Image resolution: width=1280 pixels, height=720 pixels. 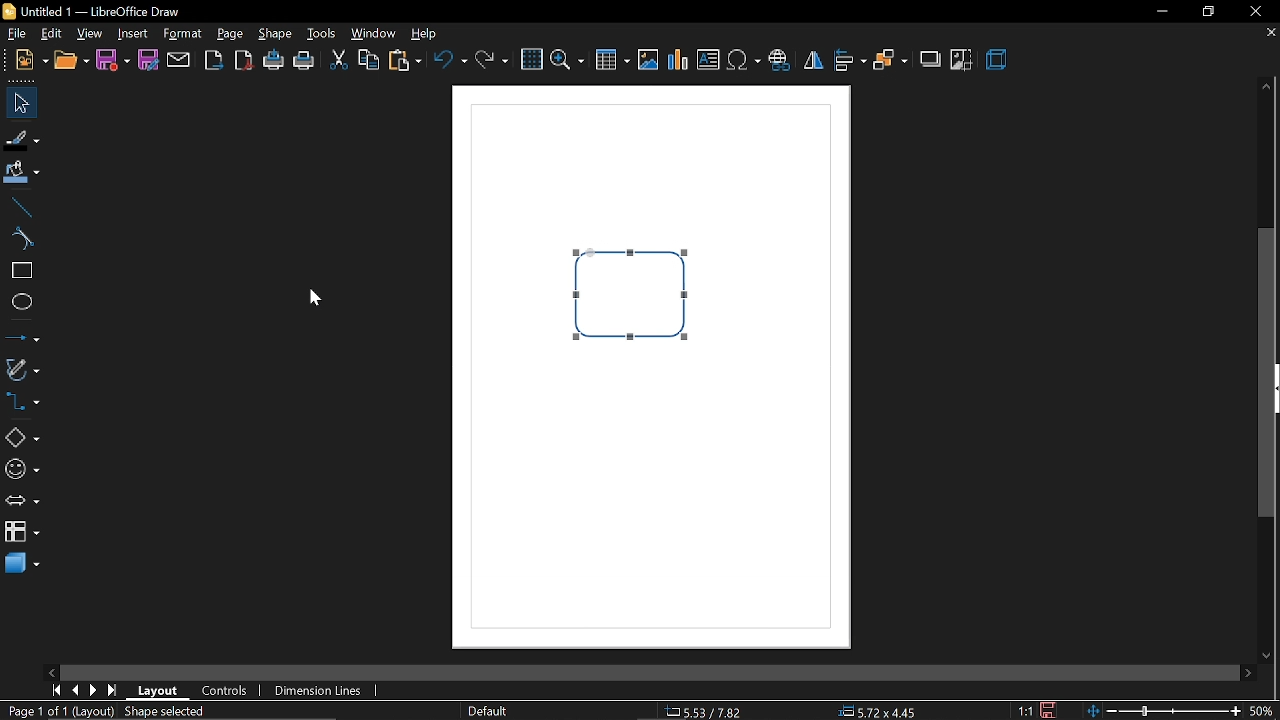 What do you see at coordinates (1163, 712) in the screenshot?
I see `change zoom` at bounding box center [1163, 712].